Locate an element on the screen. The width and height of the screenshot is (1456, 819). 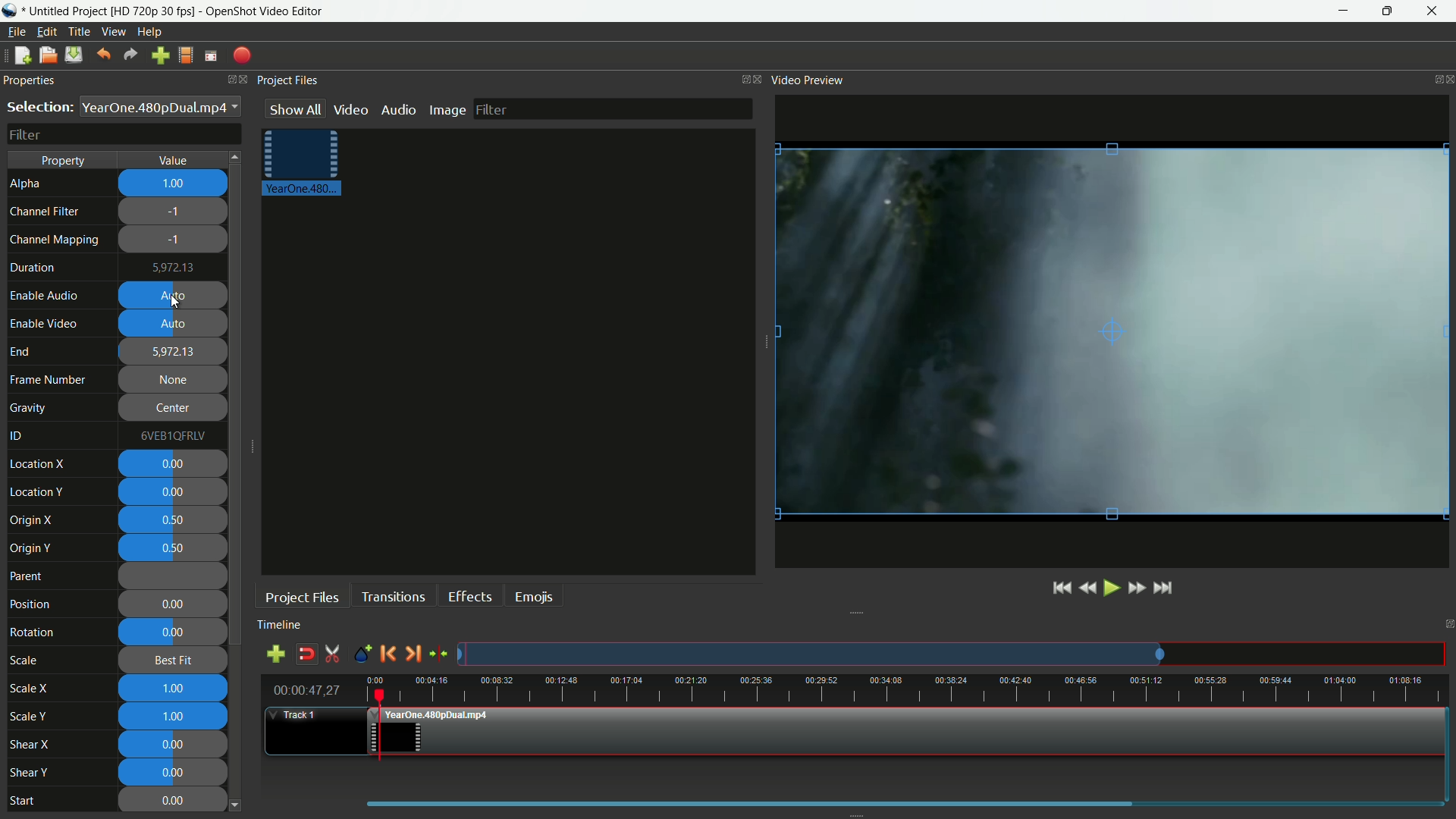
origin x is located at coordinates (33, 521).